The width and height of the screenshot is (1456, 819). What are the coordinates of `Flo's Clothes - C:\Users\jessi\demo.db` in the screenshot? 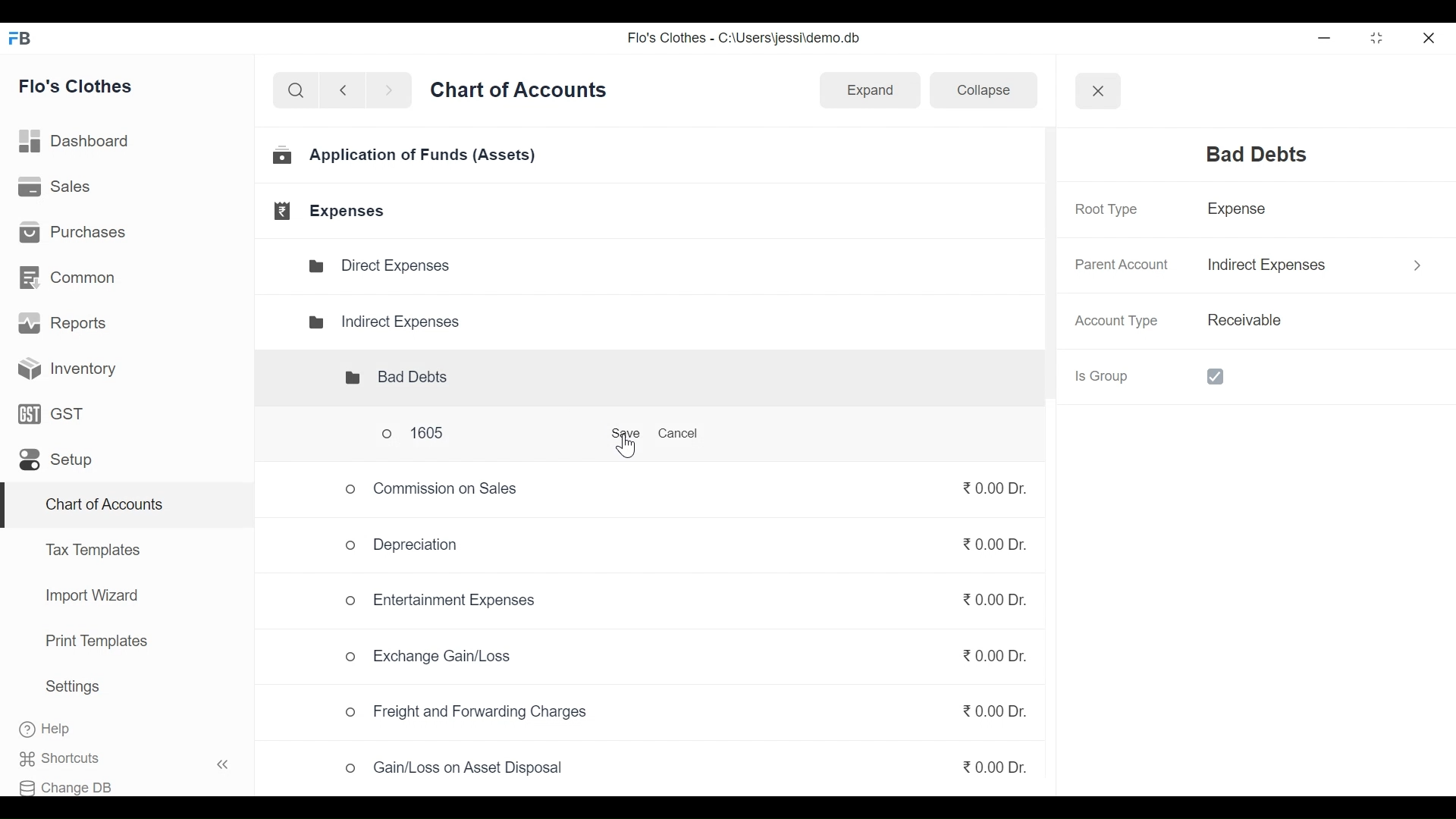 It's located at (746, 41).